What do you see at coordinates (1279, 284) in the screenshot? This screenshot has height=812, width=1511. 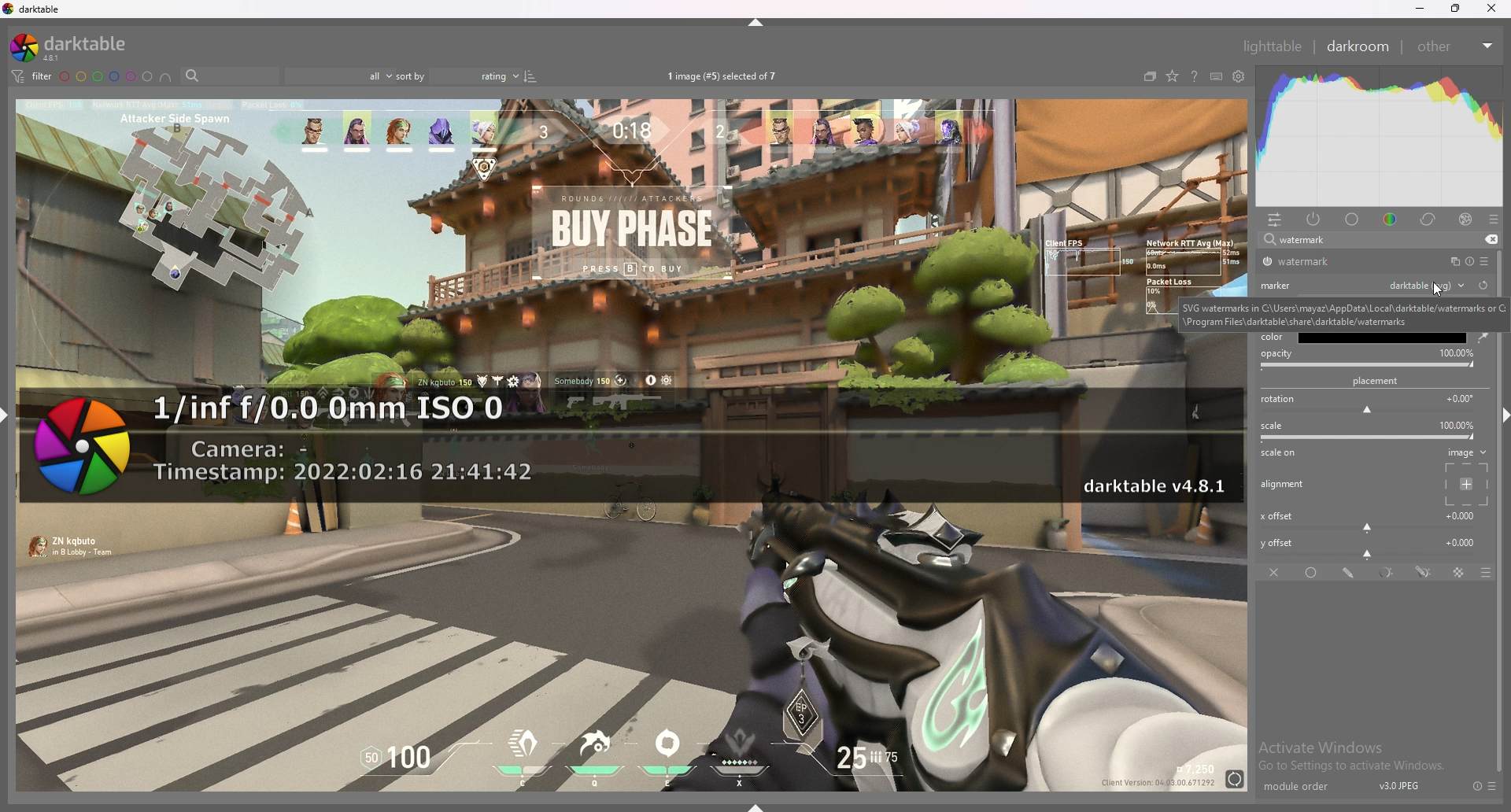 I see `marker` at bounding box center [1279, 284].